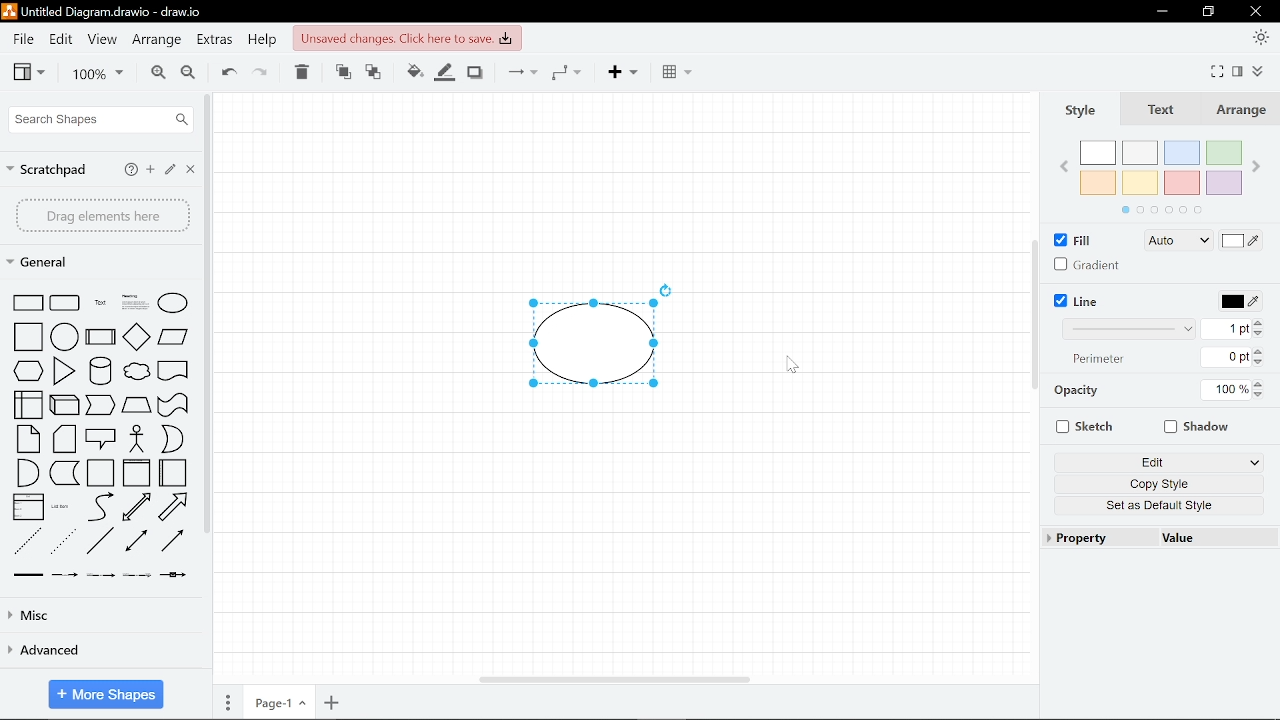  What do you see at coordinates (137, 439) in the screenshot?
I see `actor` at bounding box center [137, 439].